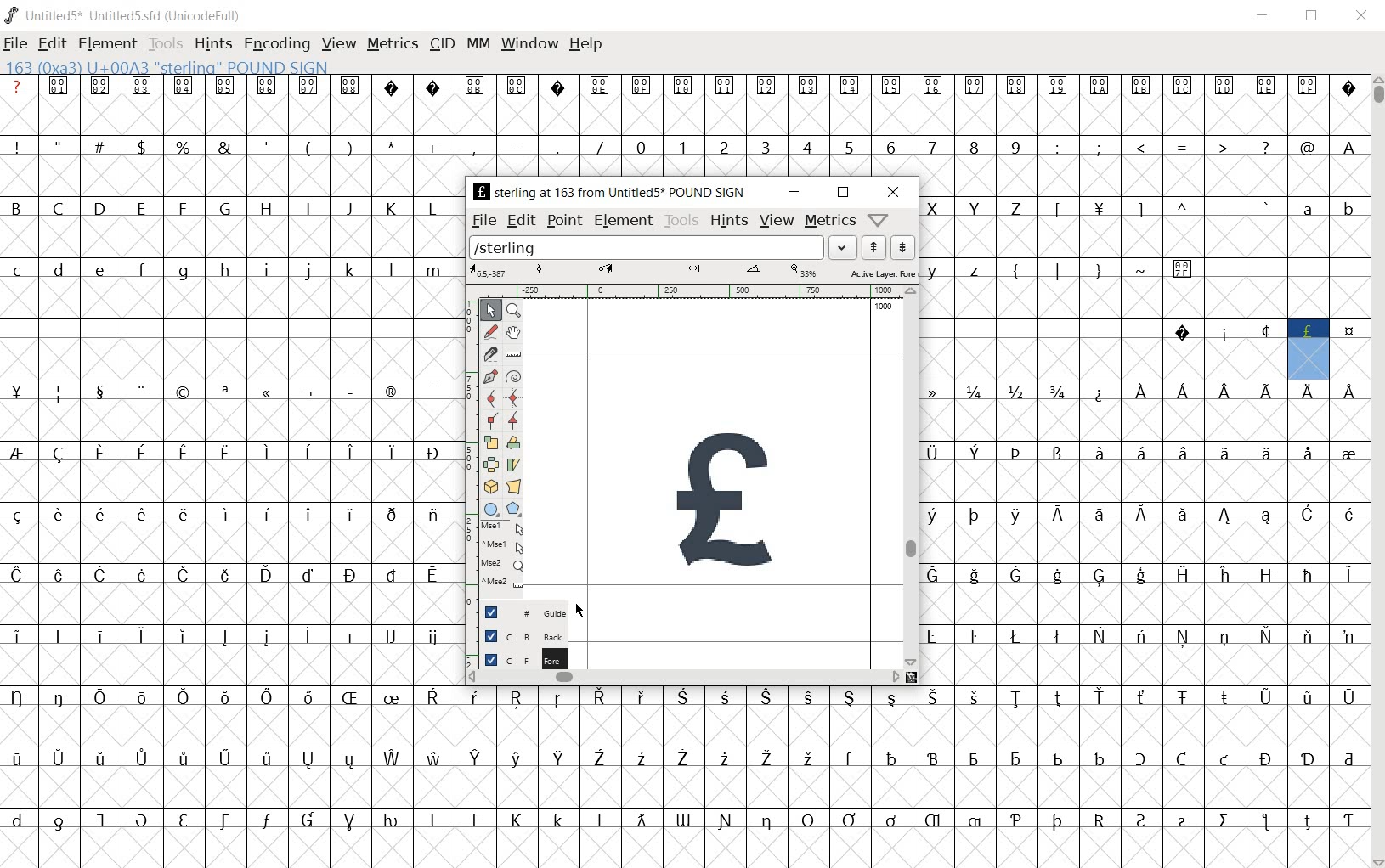  What do you see at coordinates (226, 270) in the screenshot?
I see `h` at bounding box center [226, 270].